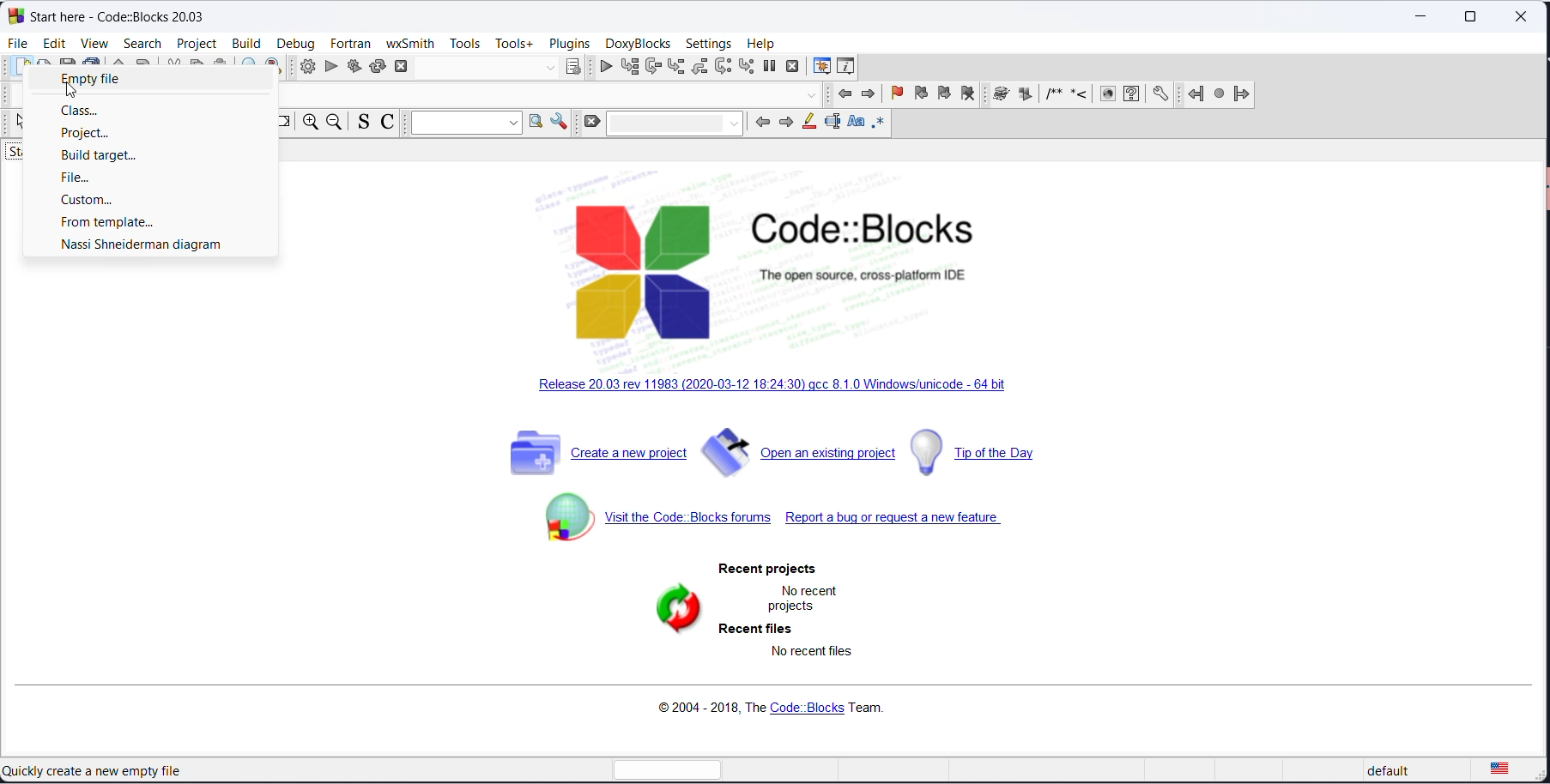 The height and width of the screenshot is (784, 1550). Describe the element at coordinates (388, 122) in the screenshot. I see `toggle comments` at that location.